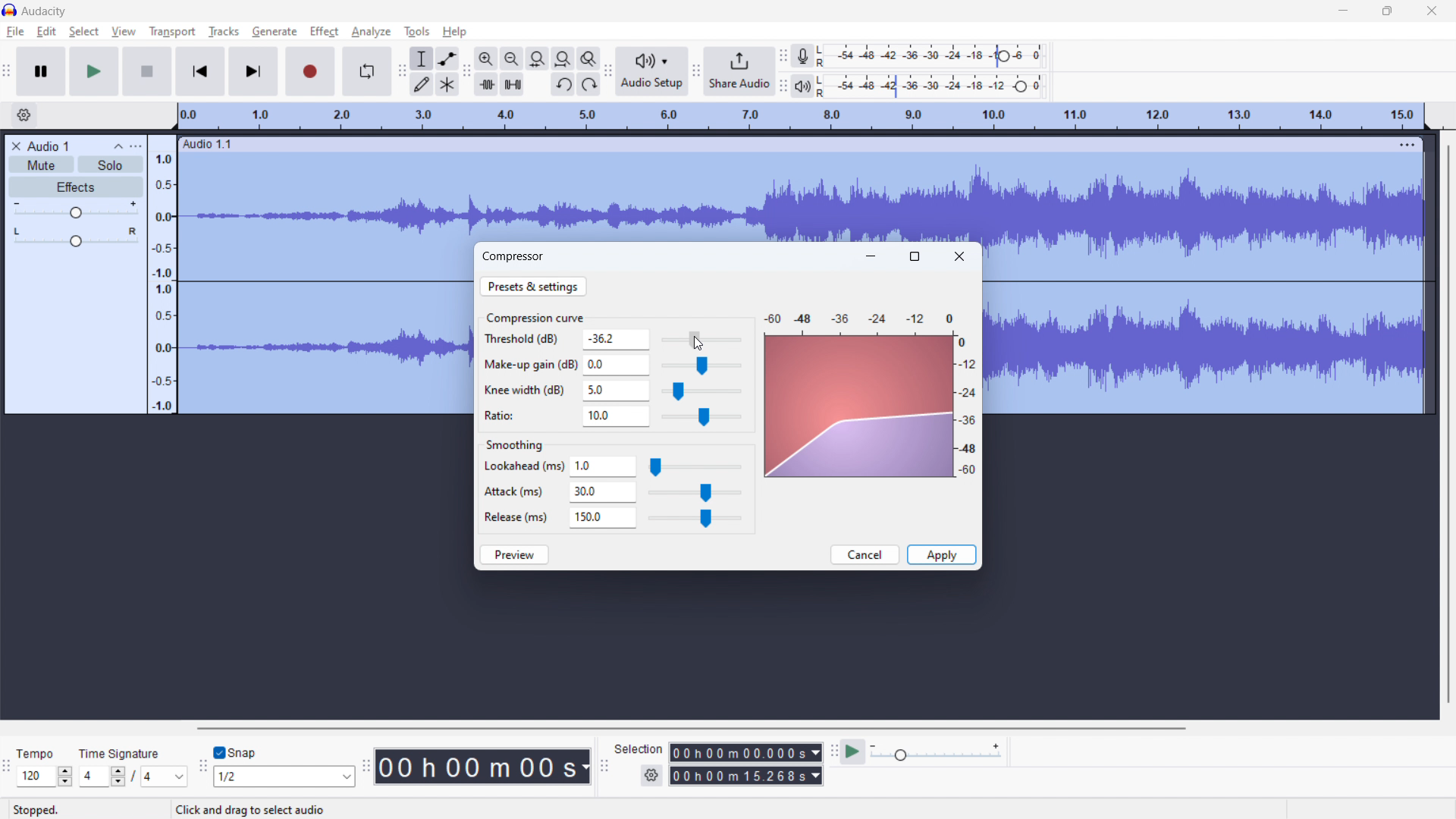  What do you see at coordinates (14, 33) in the screenshot?
I see `file` at bounding box center [14, 33].